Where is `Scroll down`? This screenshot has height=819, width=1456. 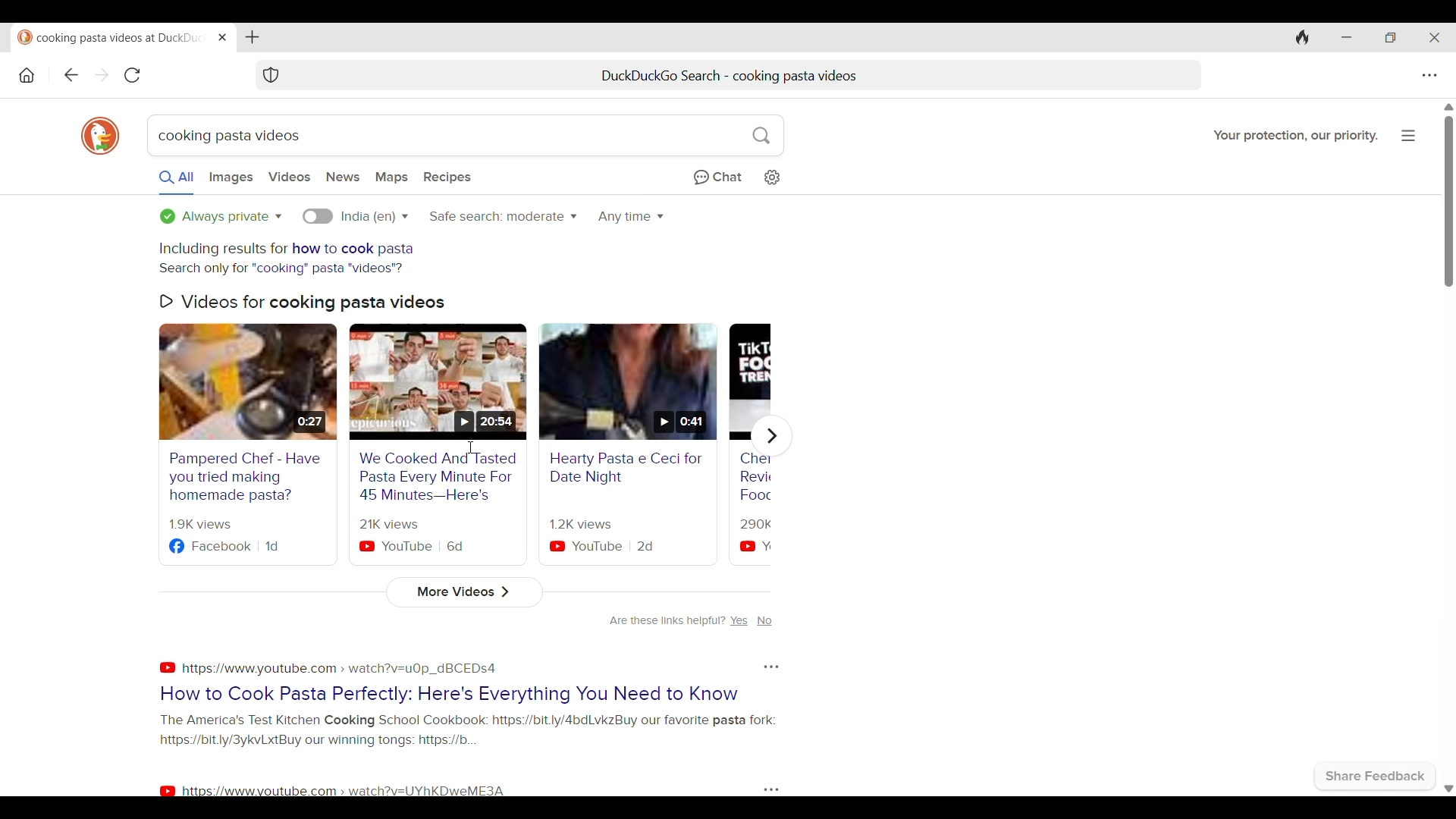
Scroll down is located at coordinates (1446, 787).